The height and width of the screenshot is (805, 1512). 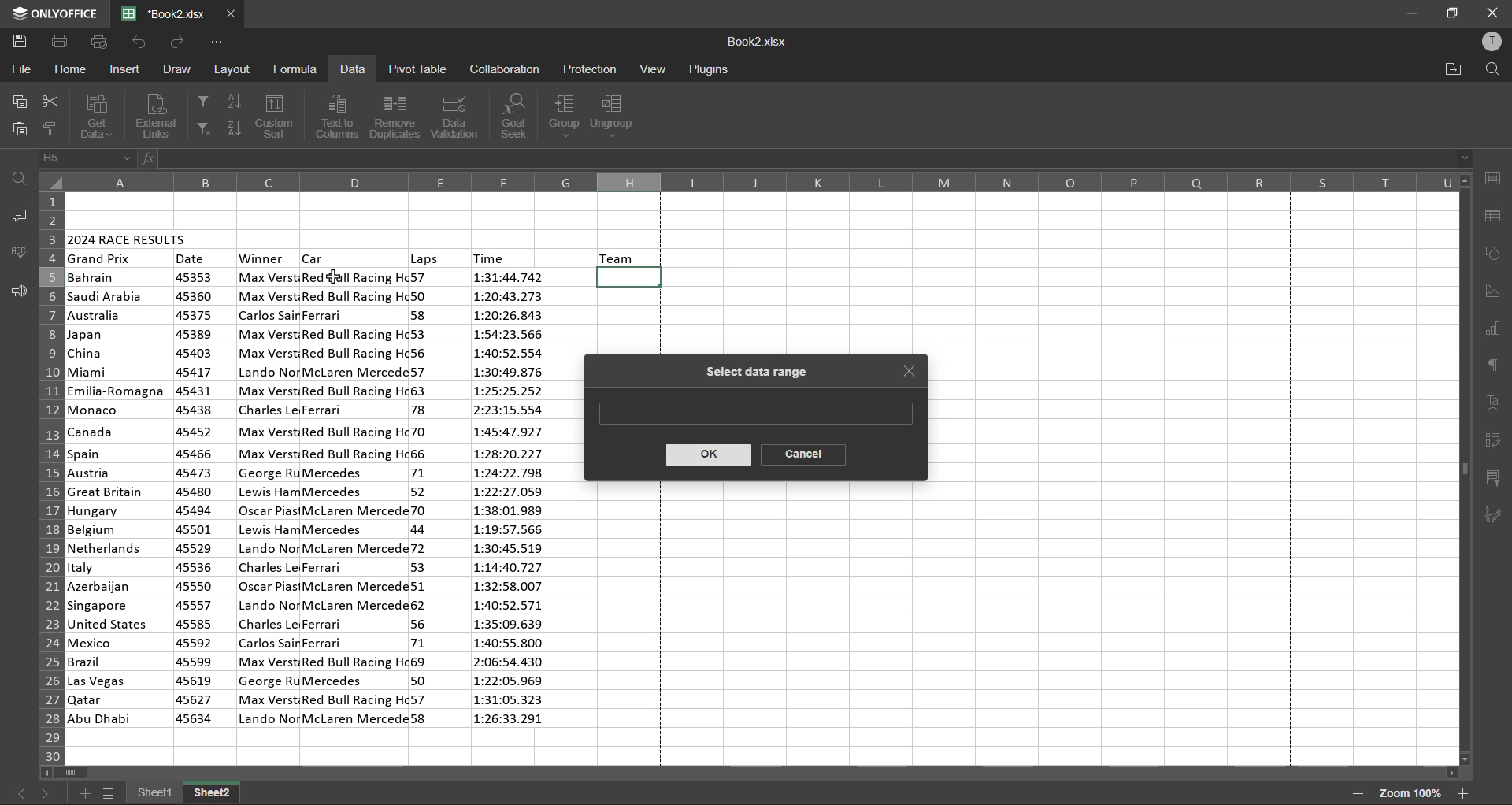 What do you see at coordinates (169, 13) in the screenshot?
I see `filename` at bounding box center [169, 13].